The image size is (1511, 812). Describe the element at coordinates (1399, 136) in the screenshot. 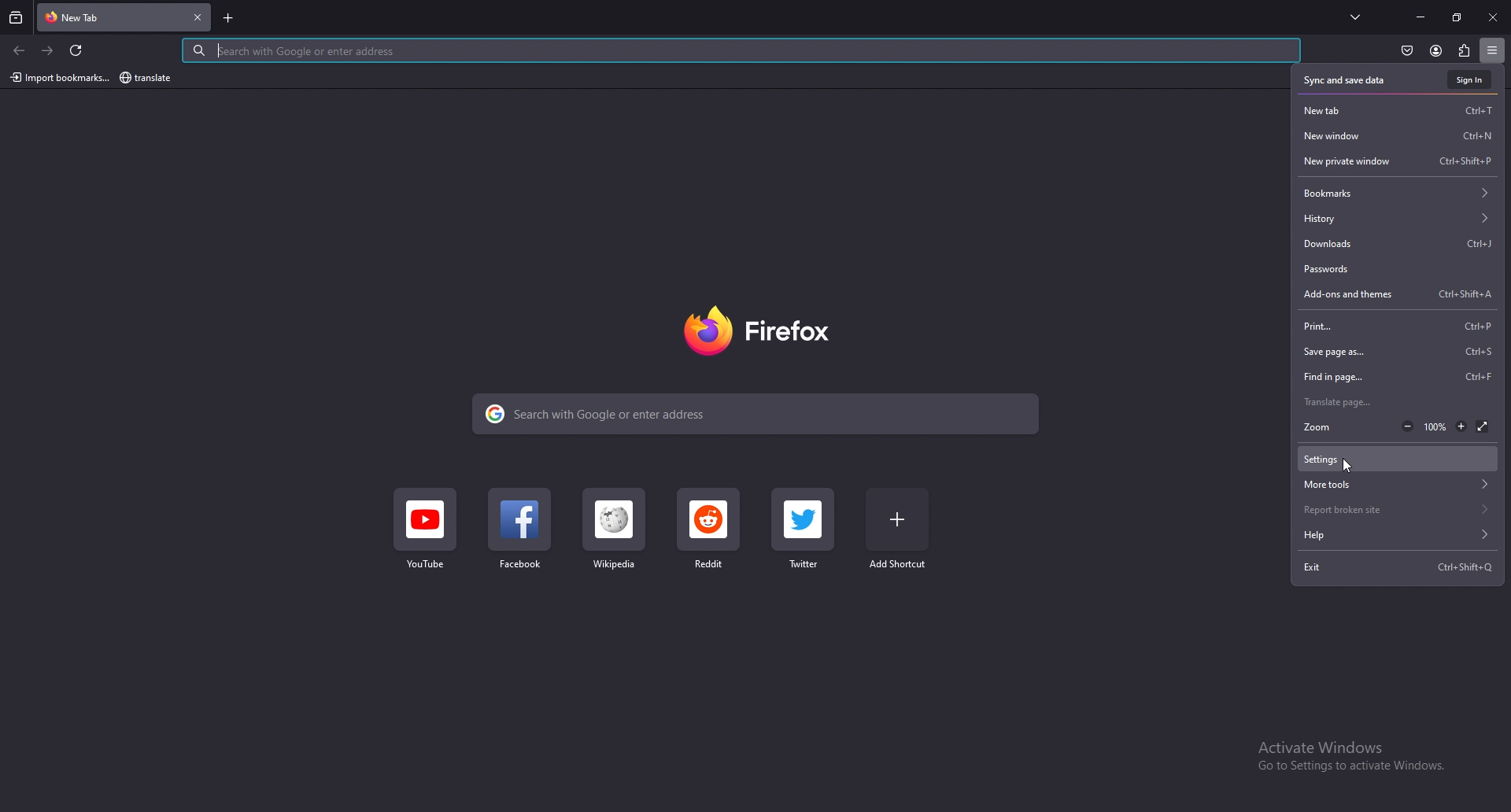

I see `new window` at that location.